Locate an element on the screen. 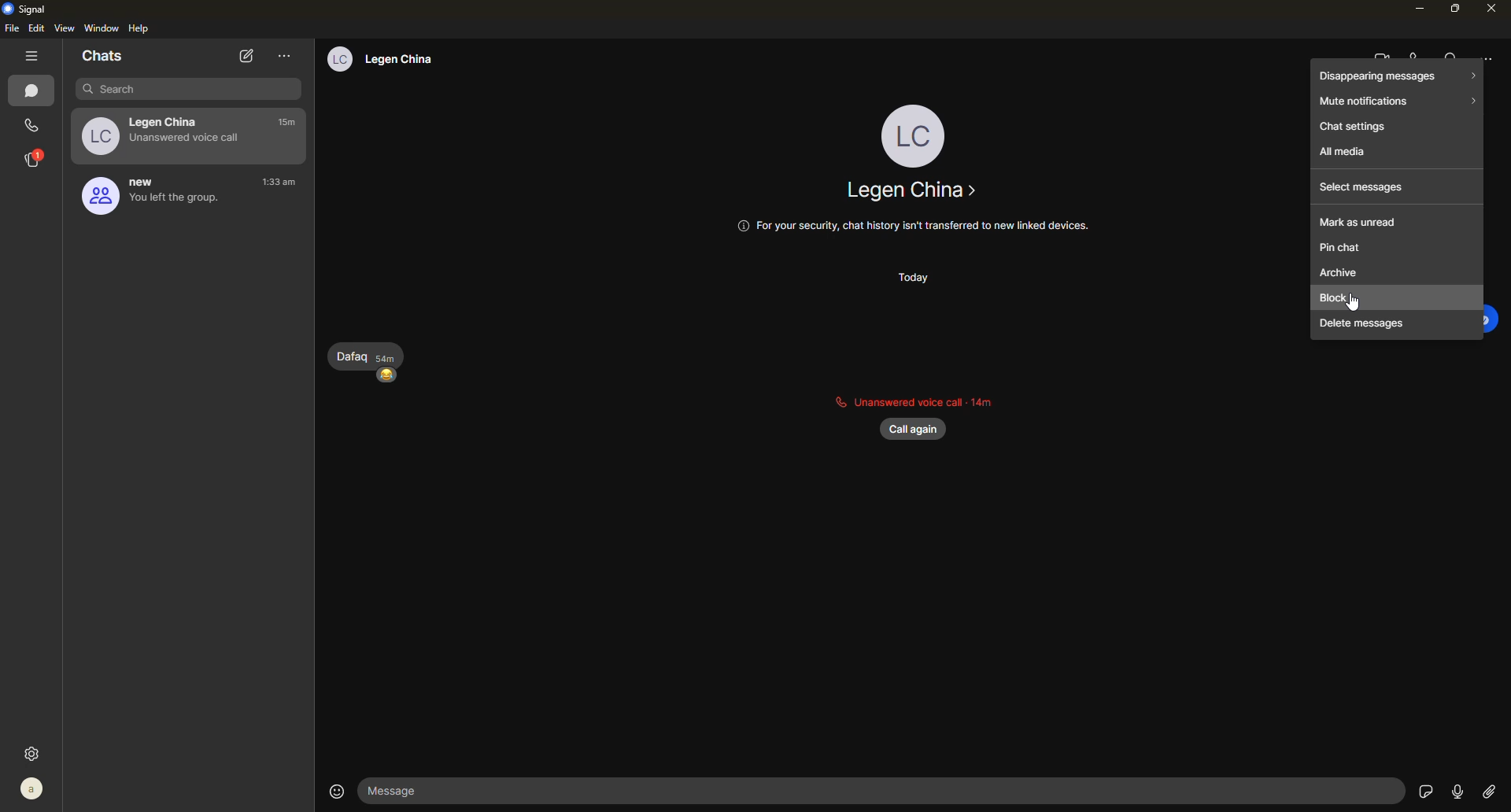 The image size is (1511, 812). mute notifications is located at coordinates (1398, 101).